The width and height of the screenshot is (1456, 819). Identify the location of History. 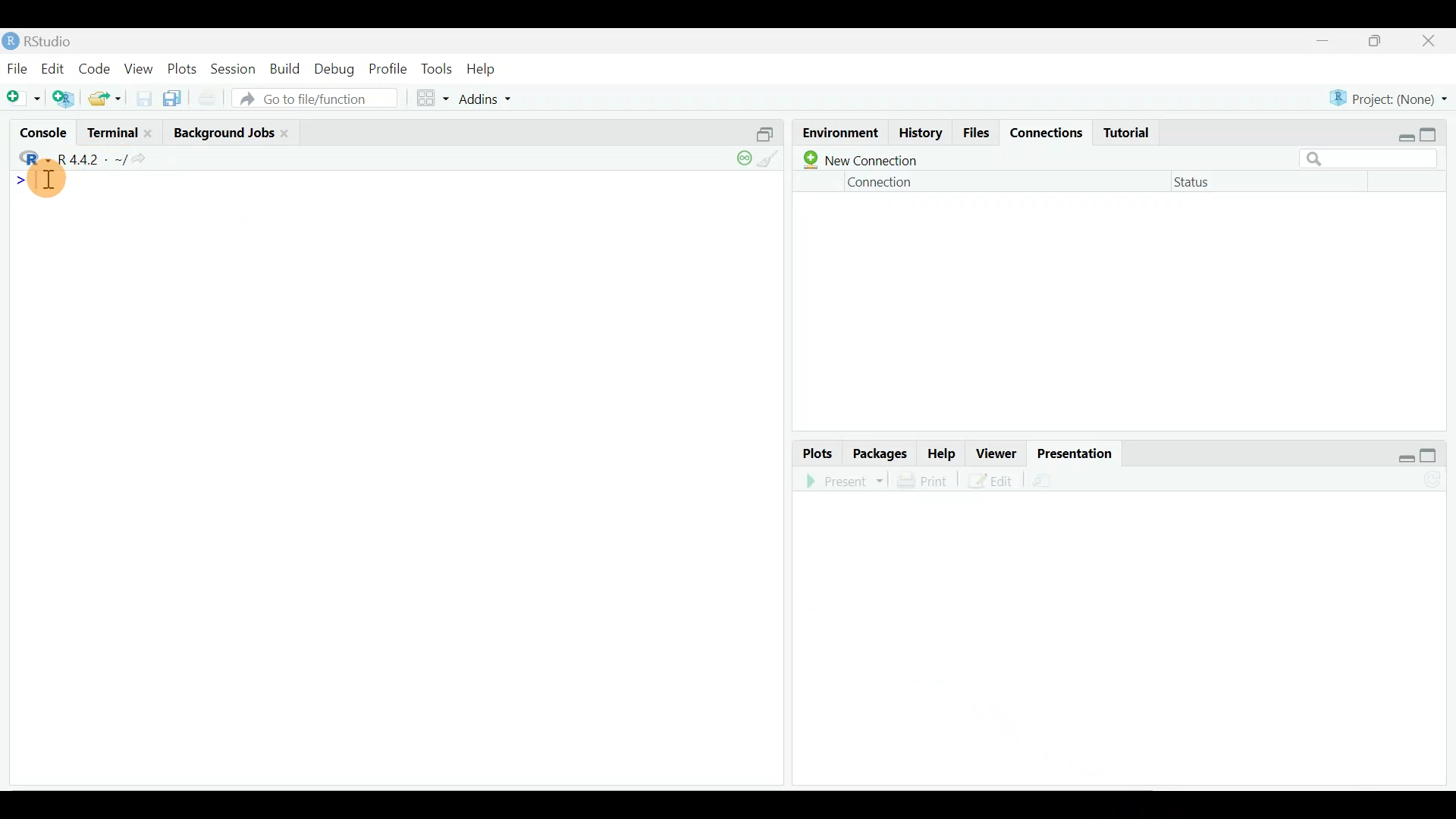
(918, 133).